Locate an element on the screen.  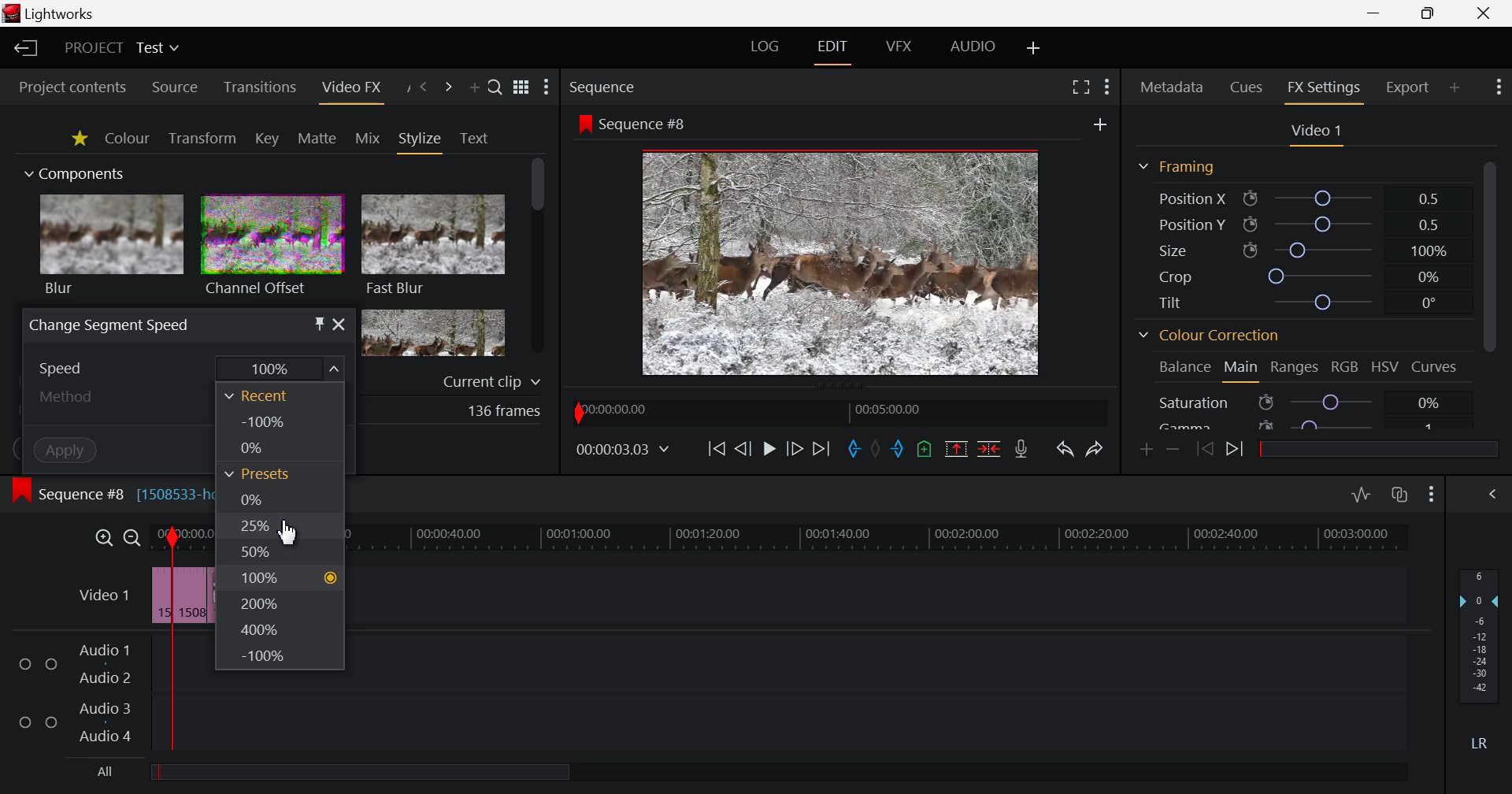
Framing Section is located at coordinates (1176, 169).